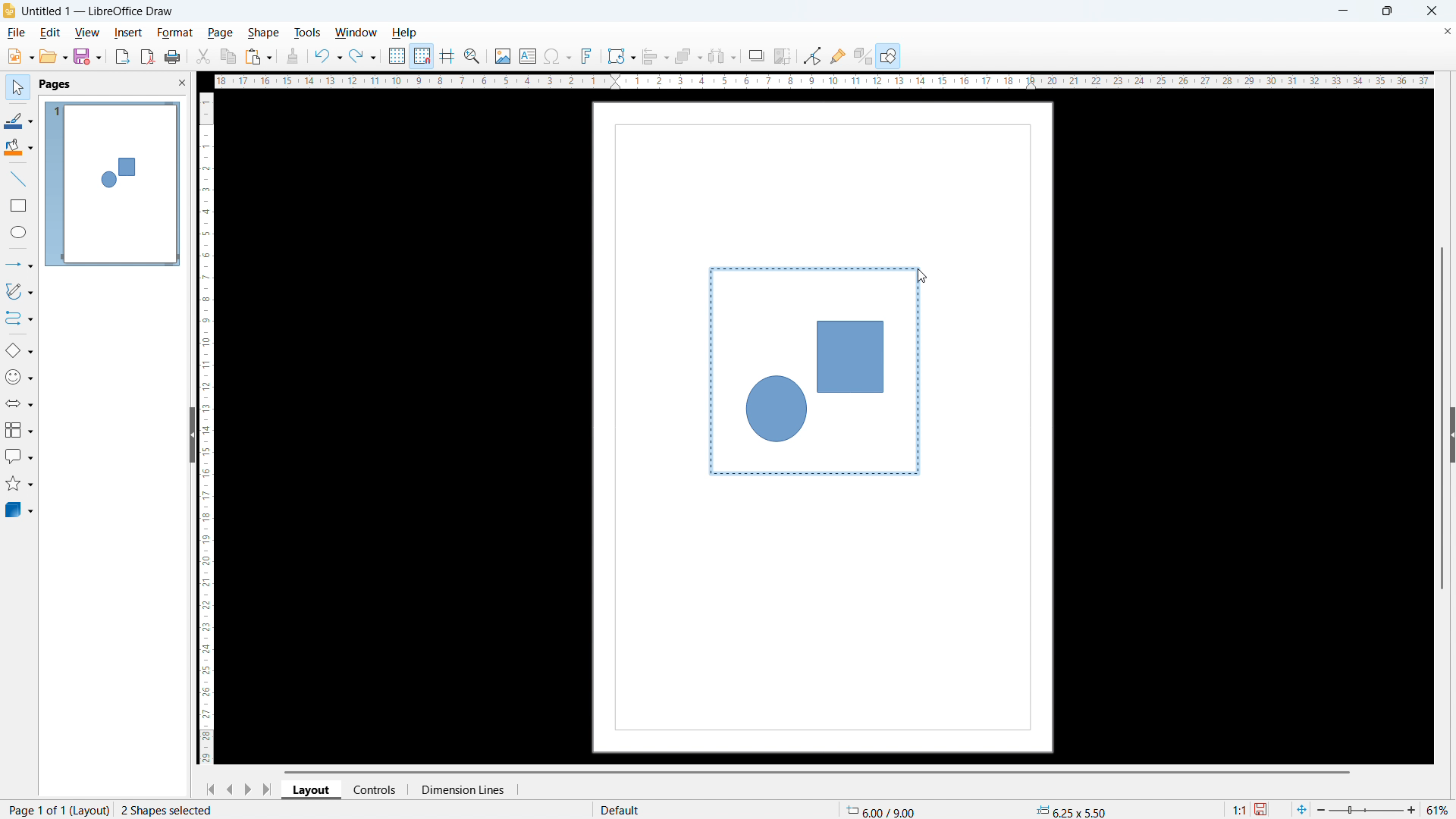 Image resolution: width=1456 pixels, height=819 pixels. What do you see at coordinates (204, 57) in the screenshot?
I see `cut` at bounding box center [204, 57].